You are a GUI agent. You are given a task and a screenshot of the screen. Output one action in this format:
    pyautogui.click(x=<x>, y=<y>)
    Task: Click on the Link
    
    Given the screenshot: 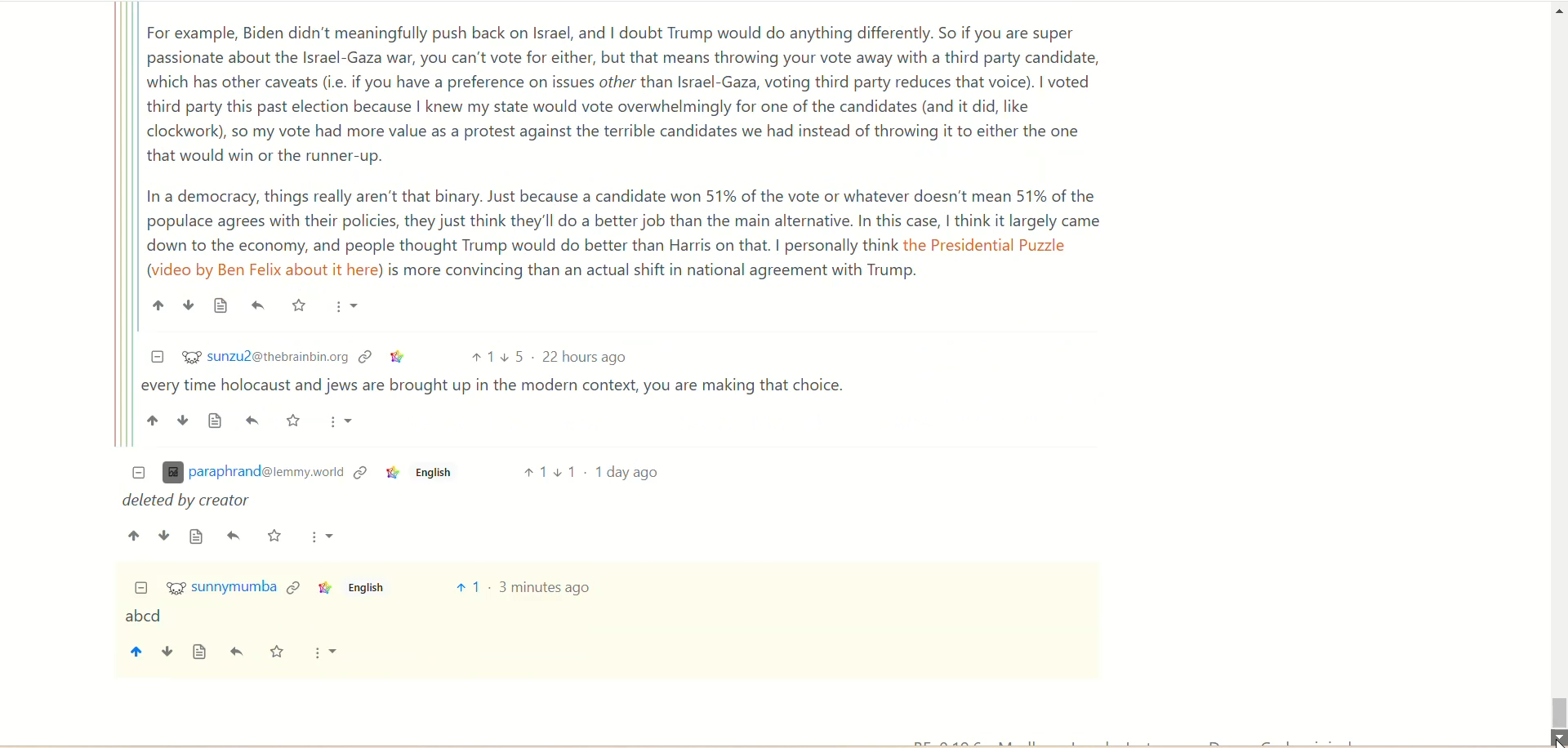 What is the action you would take?
    pyautogui.click(x=393, y=472)
    